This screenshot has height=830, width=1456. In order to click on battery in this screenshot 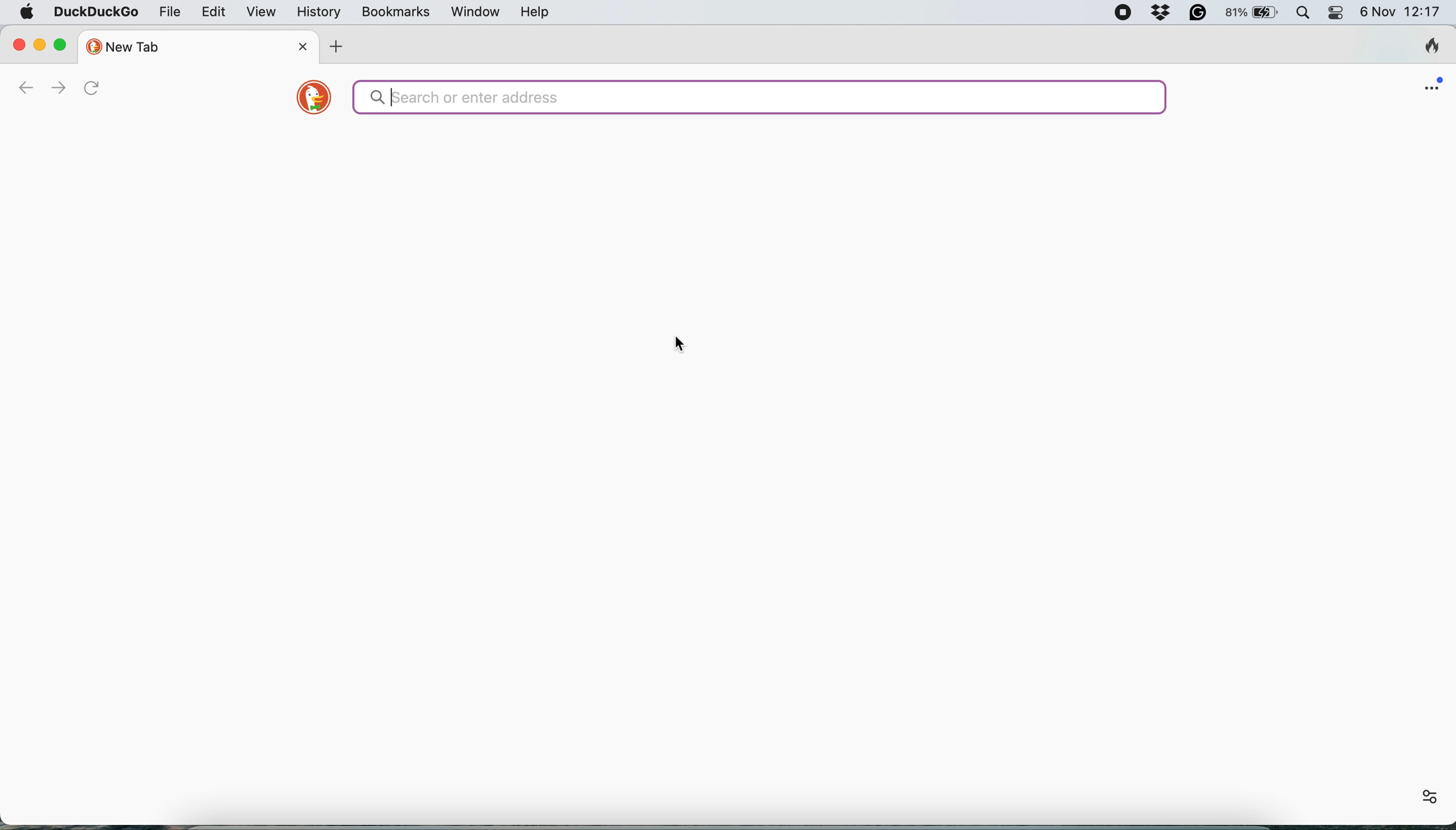, I will do `click(1250, 12)`.